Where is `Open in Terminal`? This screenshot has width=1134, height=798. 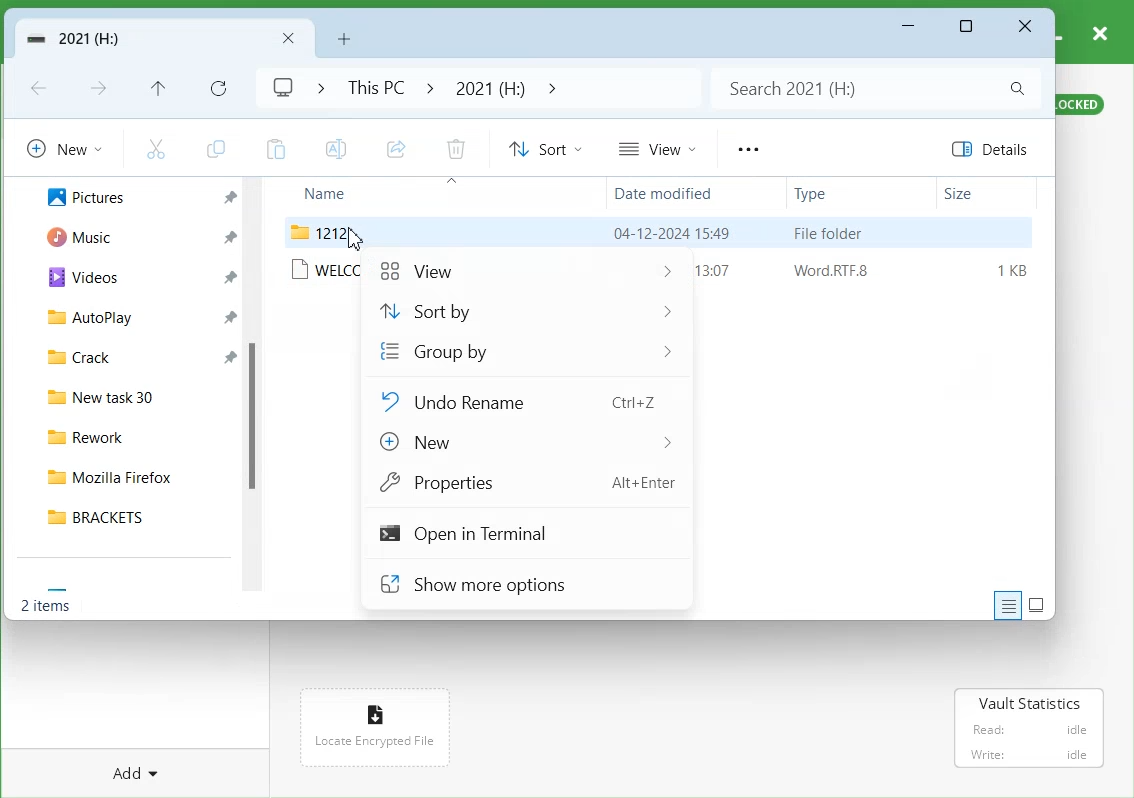
Open in Terminal is located at coordinates (526, 535).